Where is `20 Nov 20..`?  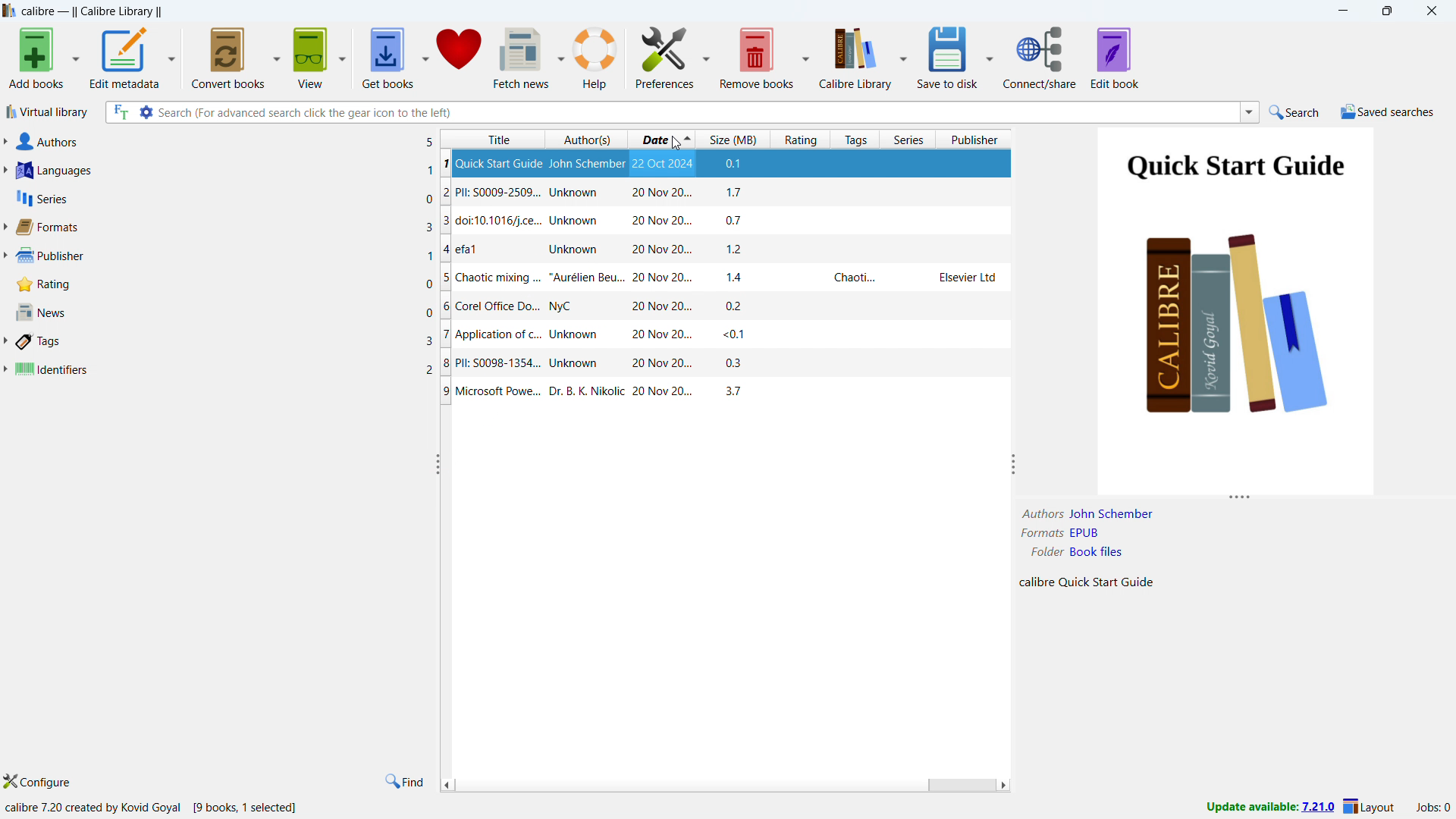
20 Nov 20.. is located at coordinates (658, 280).